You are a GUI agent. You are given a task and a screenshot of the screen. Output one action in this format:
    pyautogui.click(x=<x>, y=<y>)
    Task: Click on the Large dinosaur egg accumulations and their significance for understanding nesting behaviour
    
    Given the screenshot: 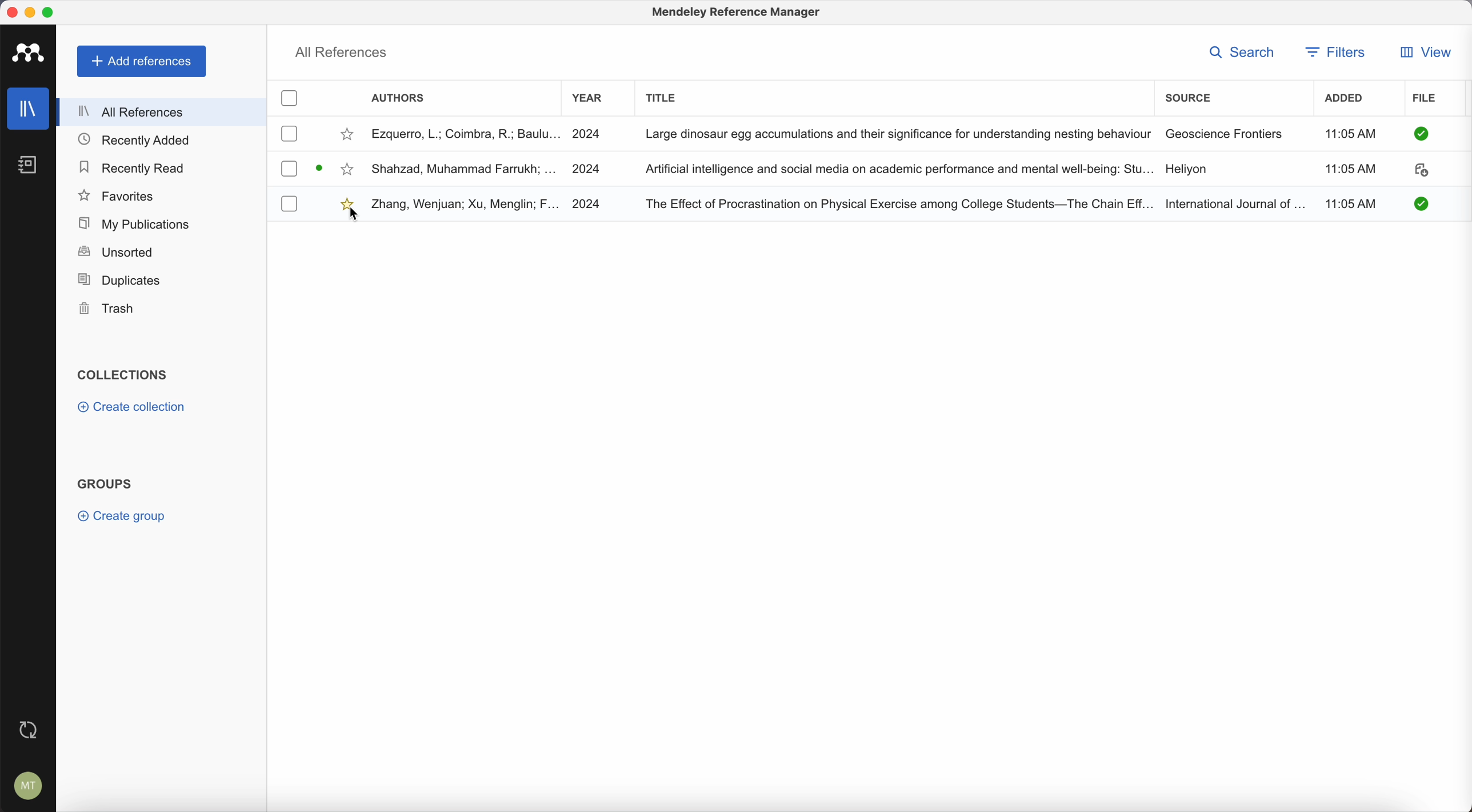 What is the action you would take?
    pyautogui.click(x=897, y=133)
    